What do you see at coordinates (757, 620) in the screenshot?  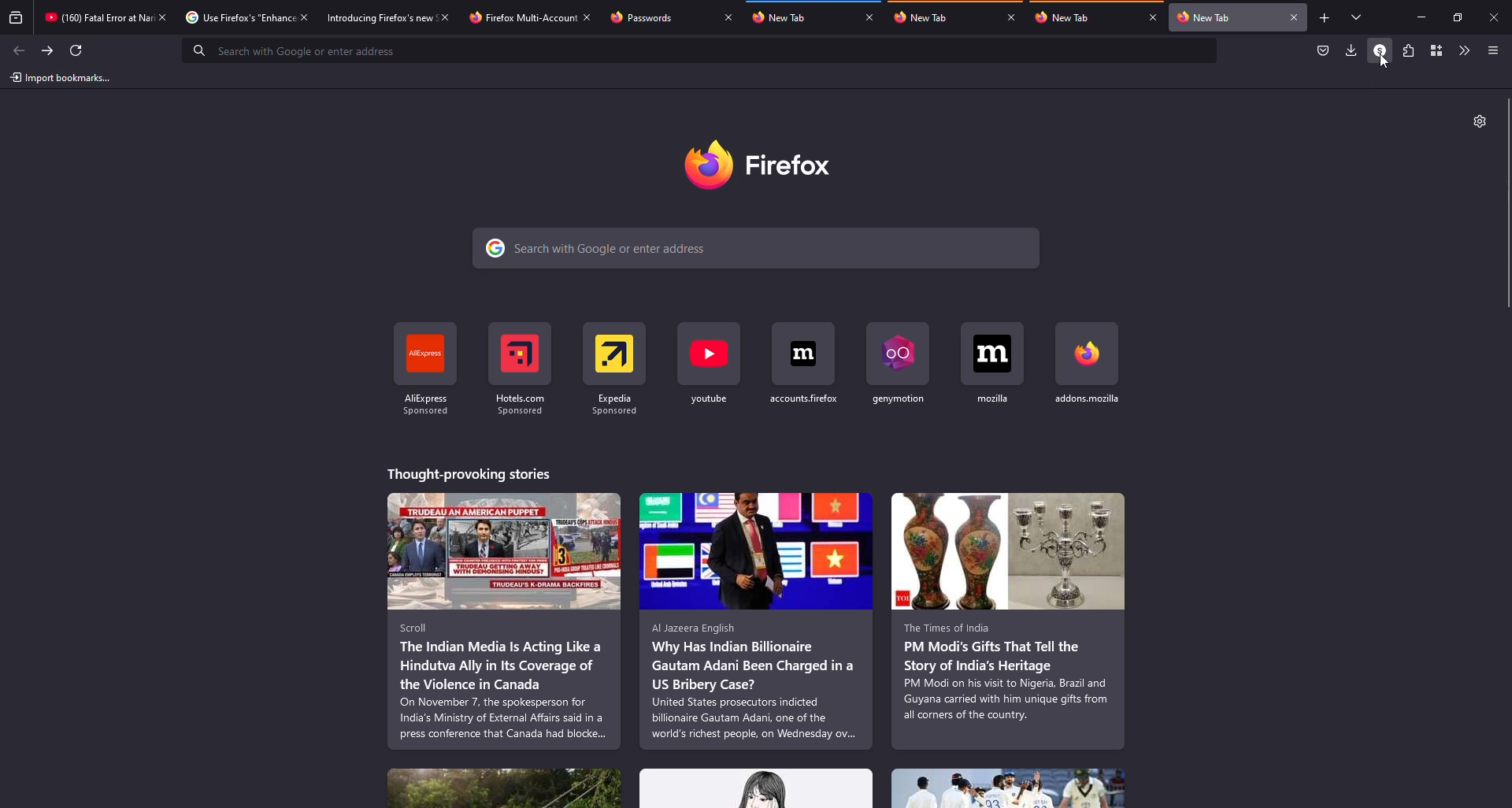 I see `stories` at bounding box center [757, 620].